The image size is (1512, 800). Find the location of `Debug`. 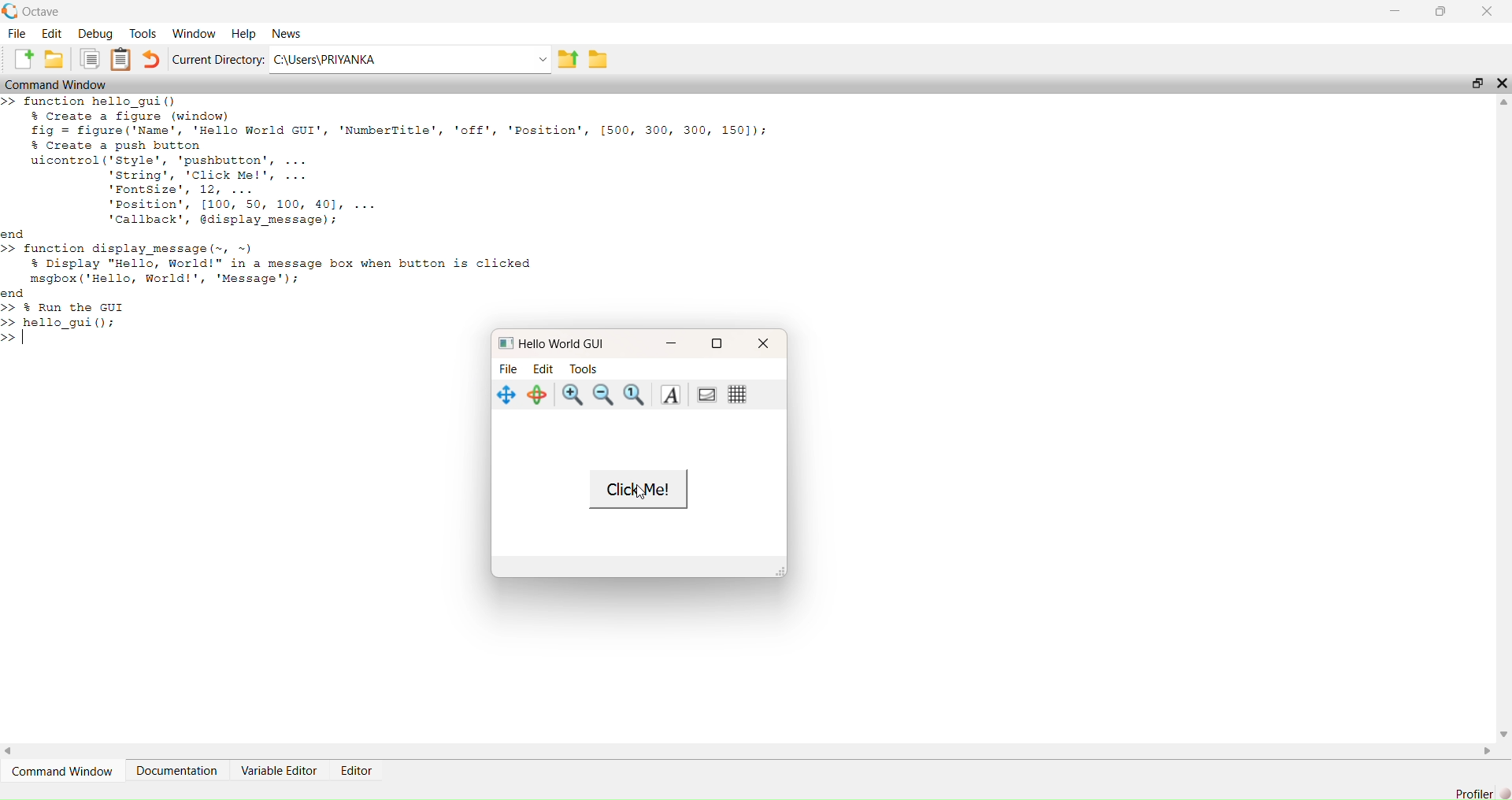

Debug is located at coordinates (98, 34).